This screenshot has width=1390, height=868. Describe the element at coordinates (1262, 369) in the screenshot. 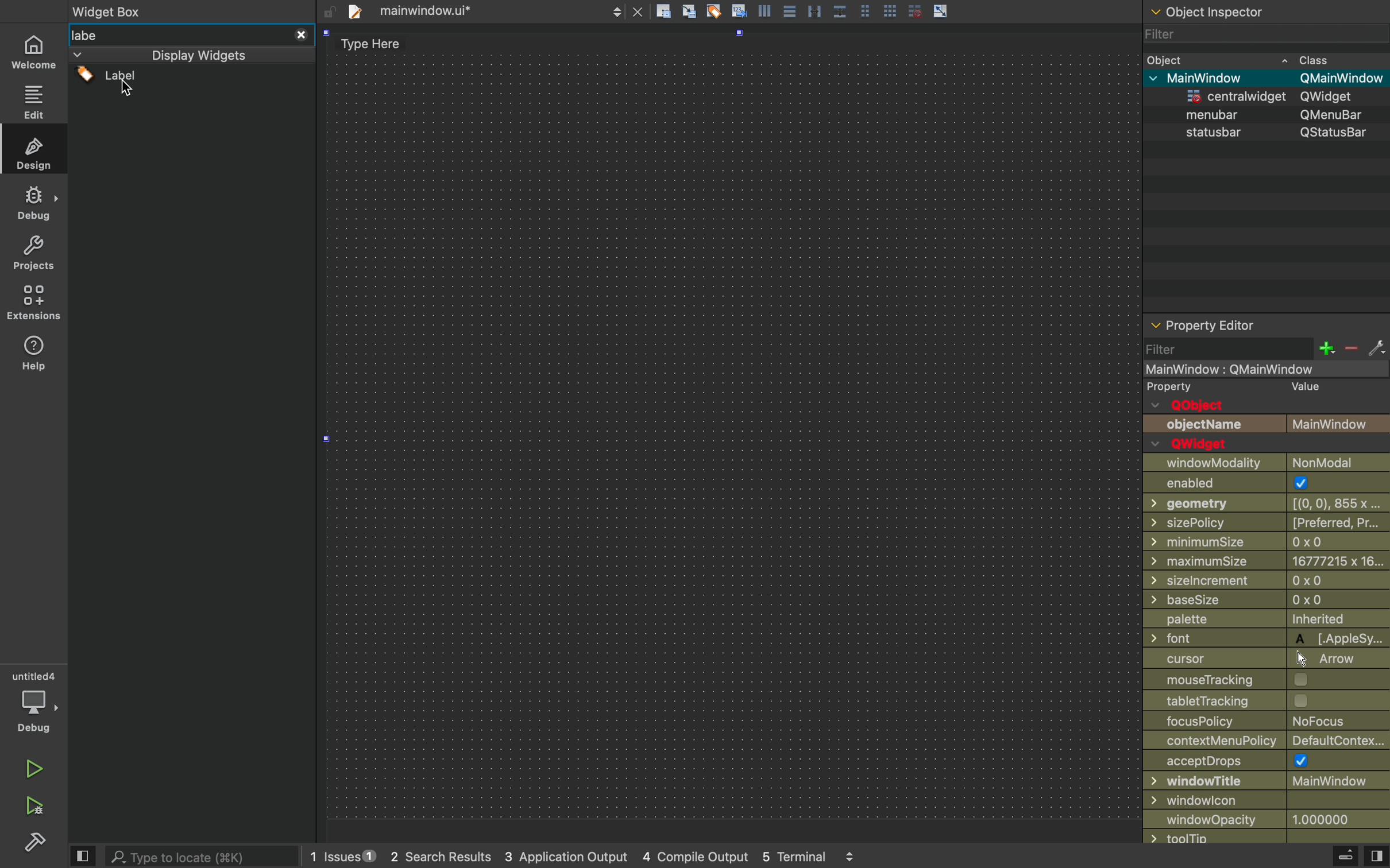

I see `` at that location.